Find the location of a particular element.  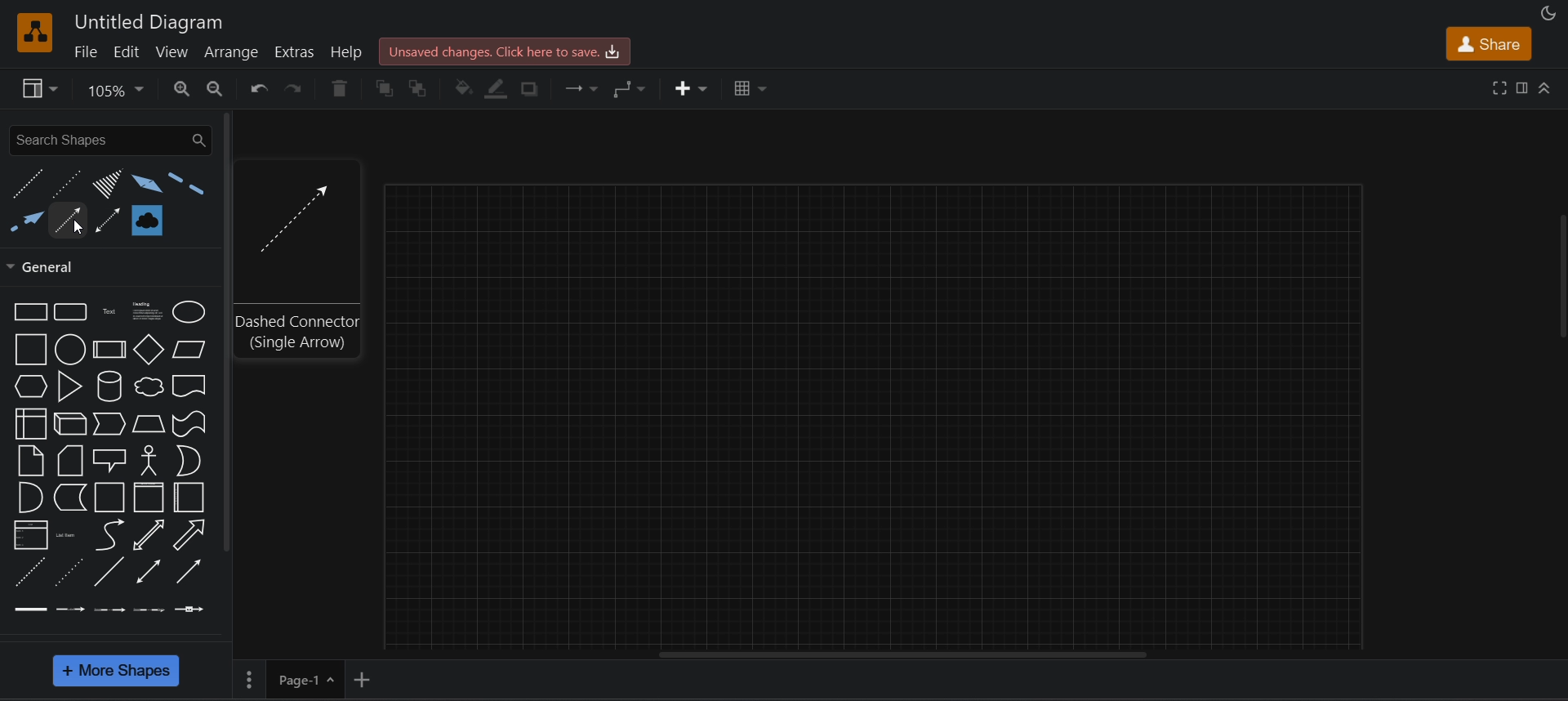

card is located at coordinates (70, 459).